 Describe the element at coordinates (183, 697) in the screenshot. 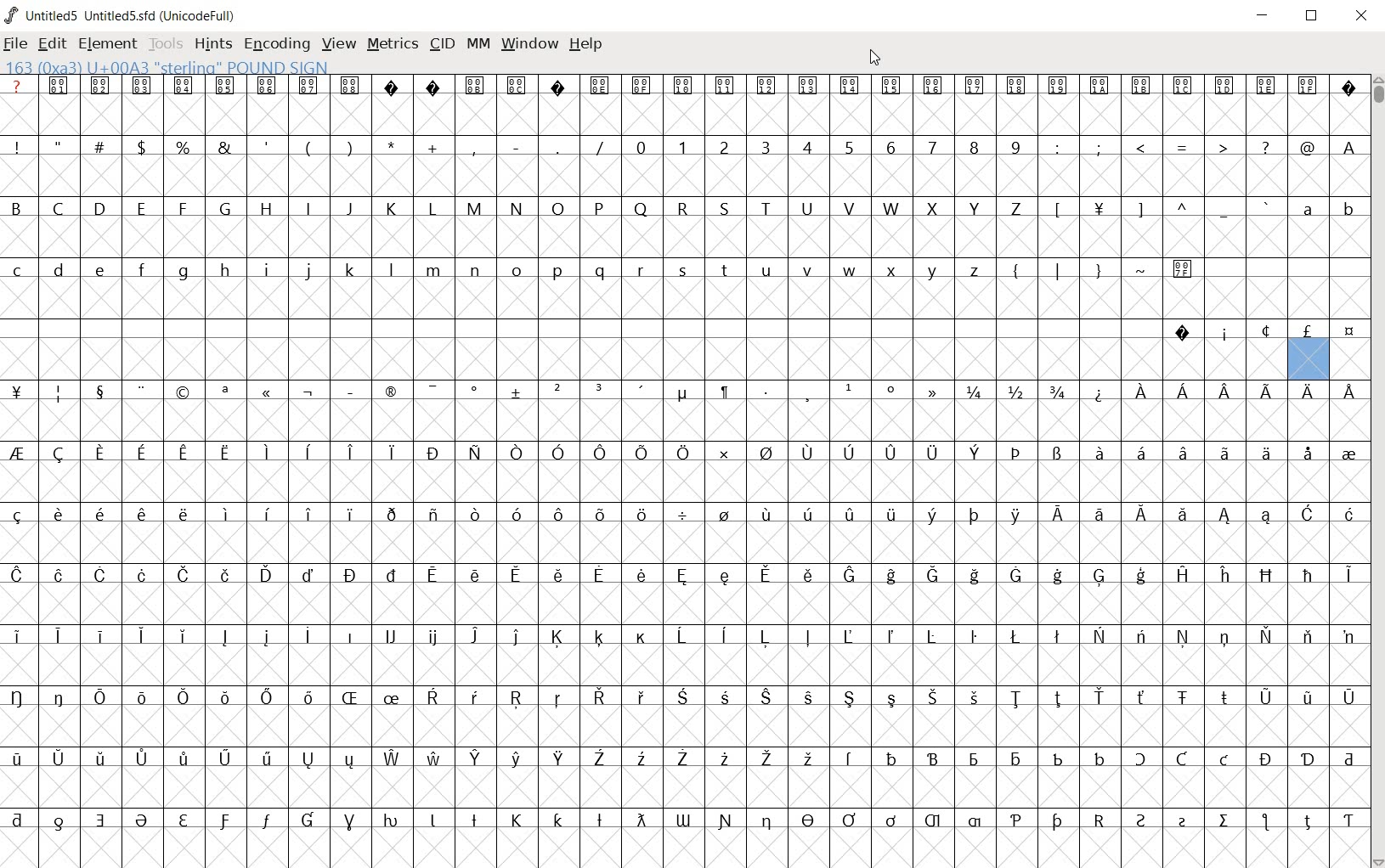

I see `Symbol` at that location.